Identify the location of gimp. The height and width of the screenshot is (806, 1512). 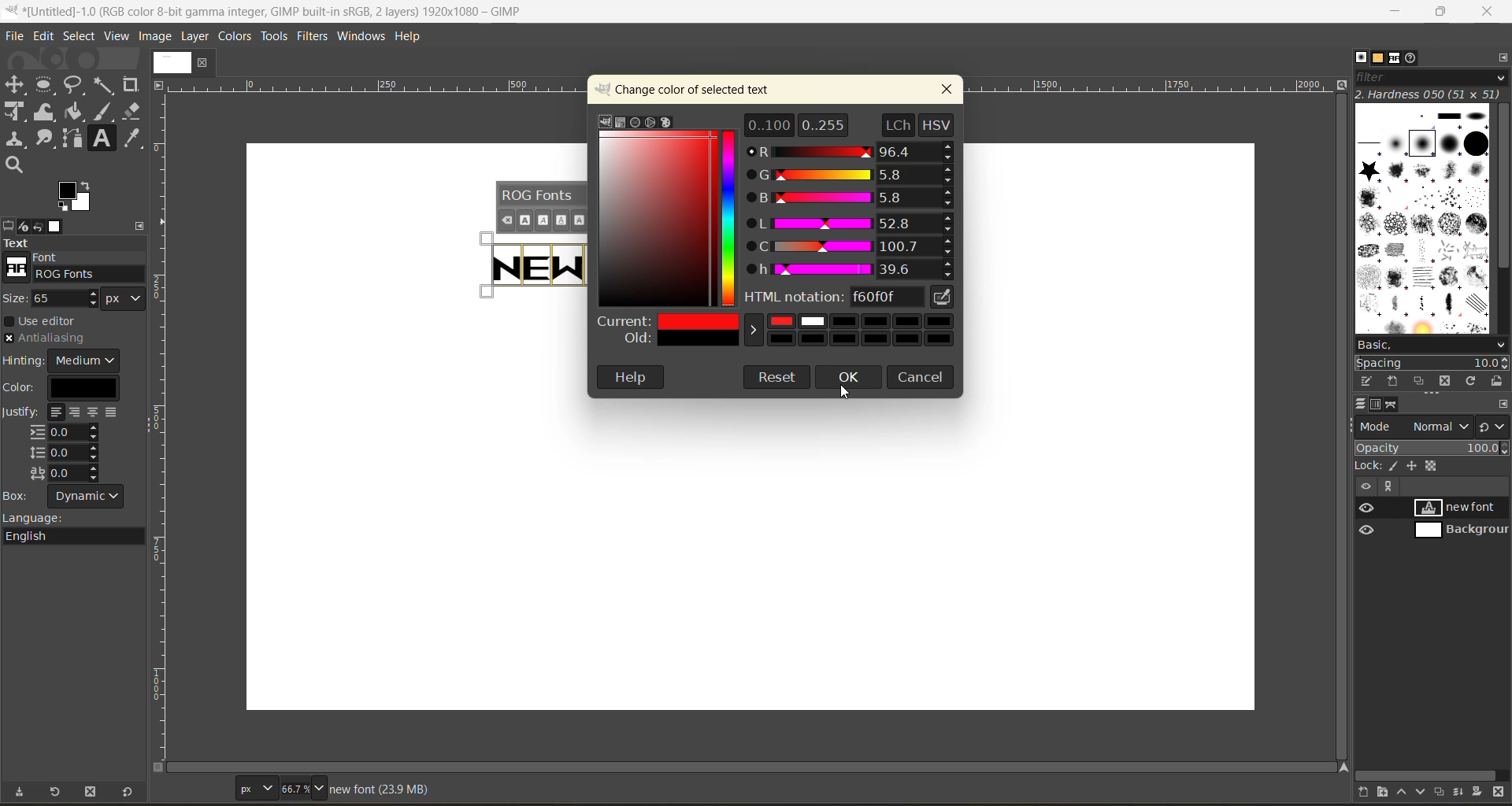
(608, 120).